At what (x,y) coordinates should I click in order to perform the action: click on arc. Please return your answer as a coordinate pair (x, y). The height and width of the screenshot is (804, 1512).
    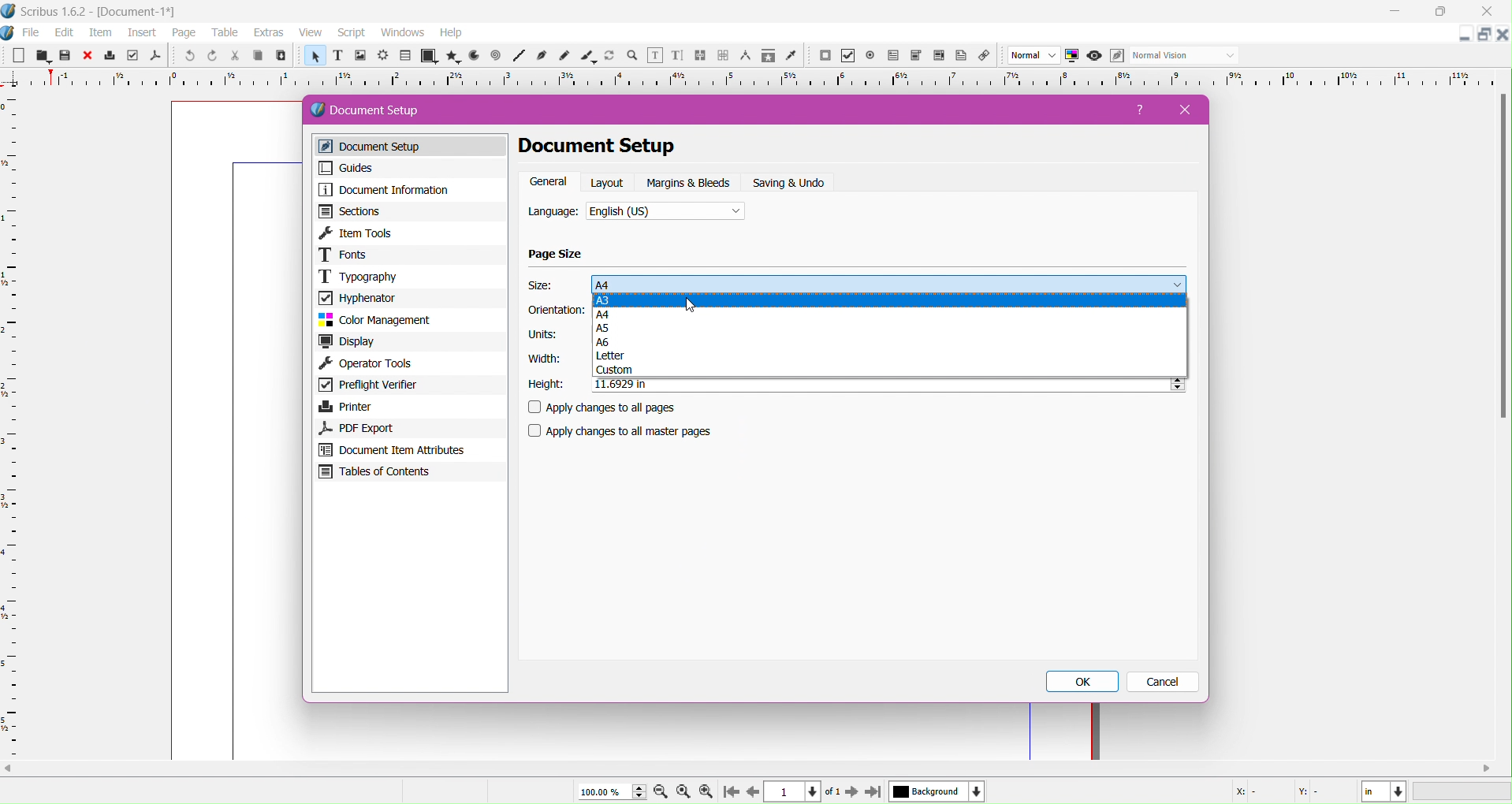
    Looking at the image, I should click on (471, 56).